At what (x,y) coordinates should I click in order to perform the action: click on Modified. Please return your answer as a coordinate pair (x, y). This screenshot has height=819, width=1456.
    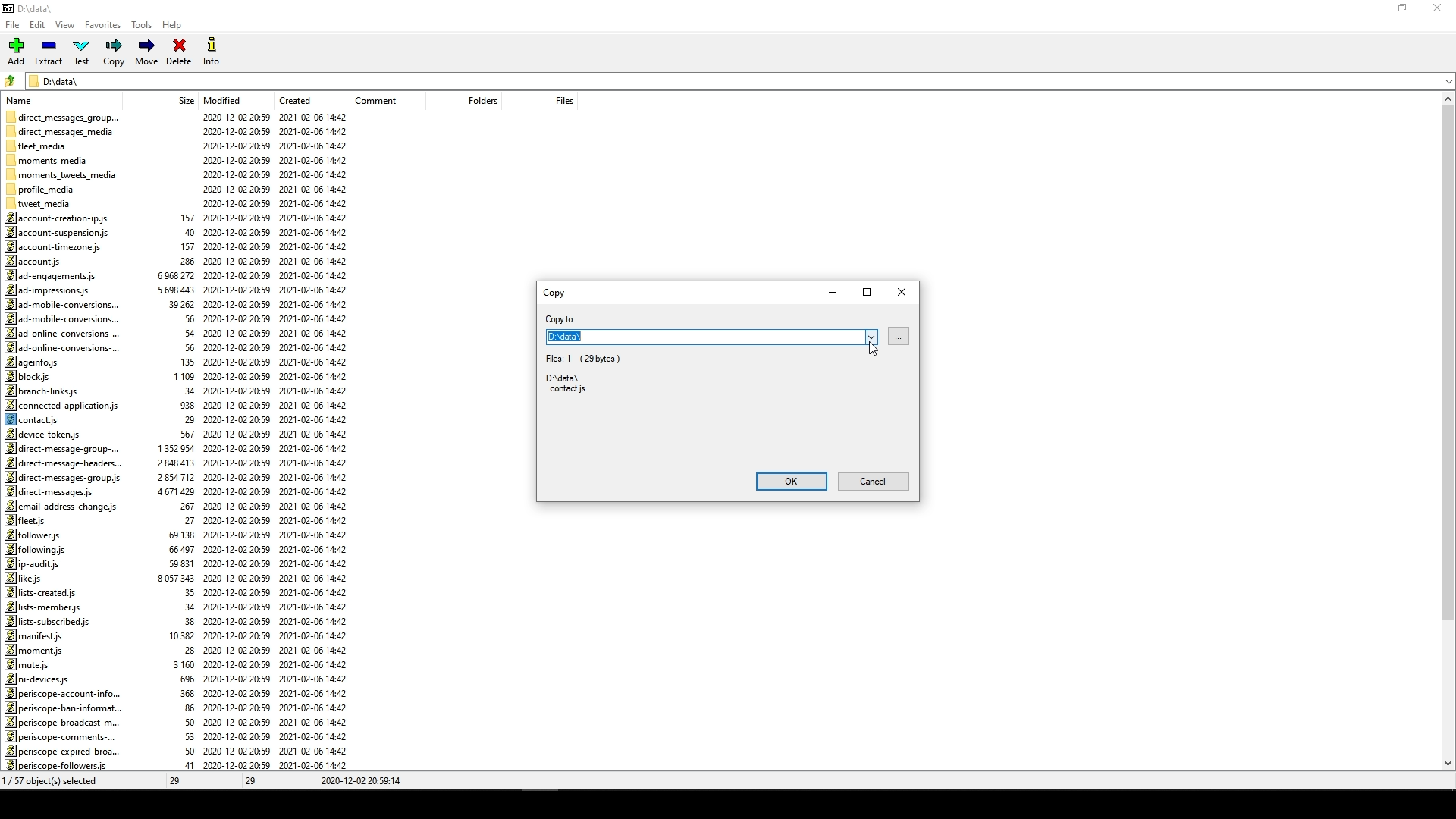
    Looking at the image, I should click on (226, 99).